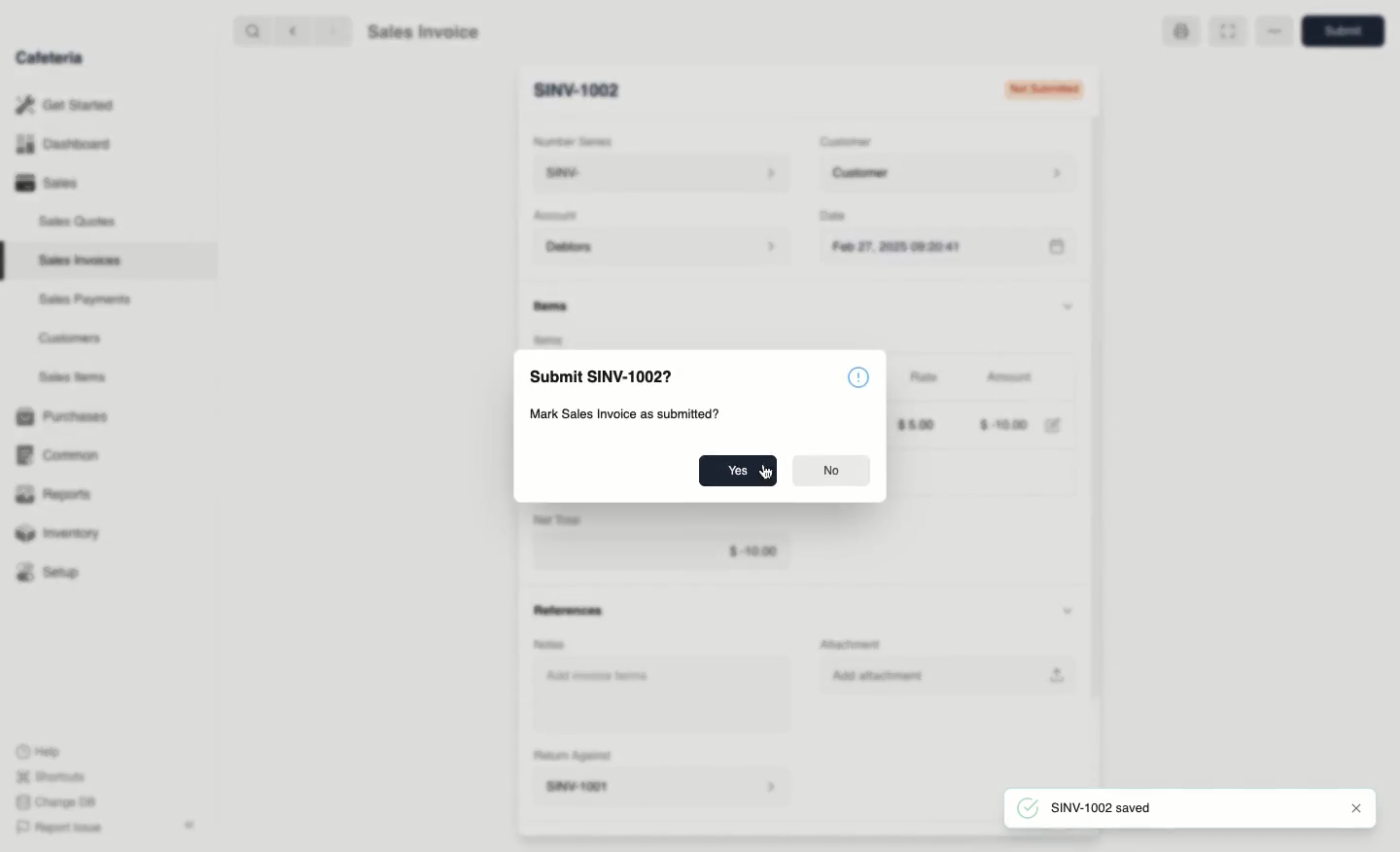  I want to click on Draft, so click(1048, 90).